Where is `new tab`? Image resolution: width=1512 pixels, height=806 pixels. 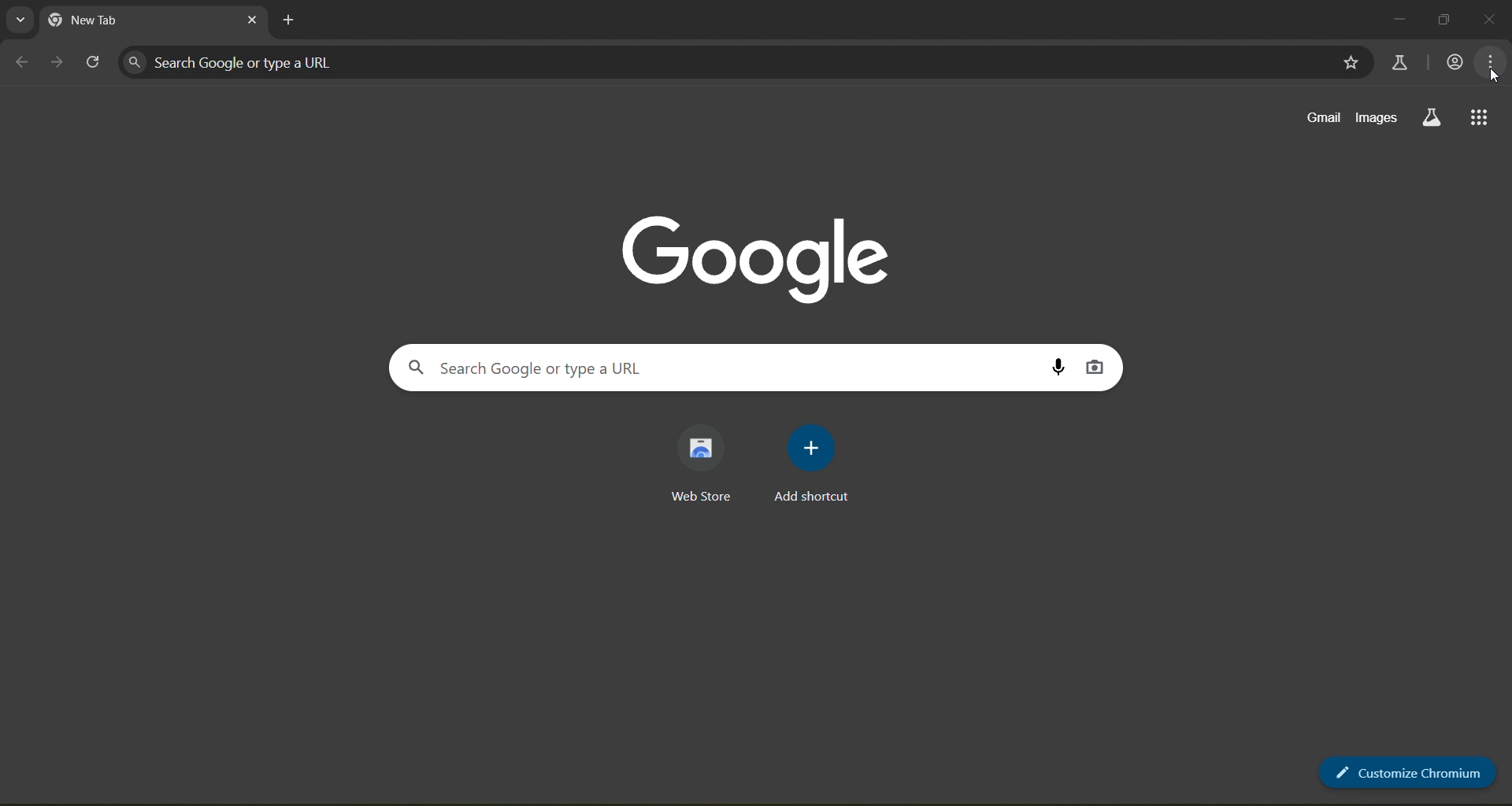
new tab is located at coordinates (291, 20).